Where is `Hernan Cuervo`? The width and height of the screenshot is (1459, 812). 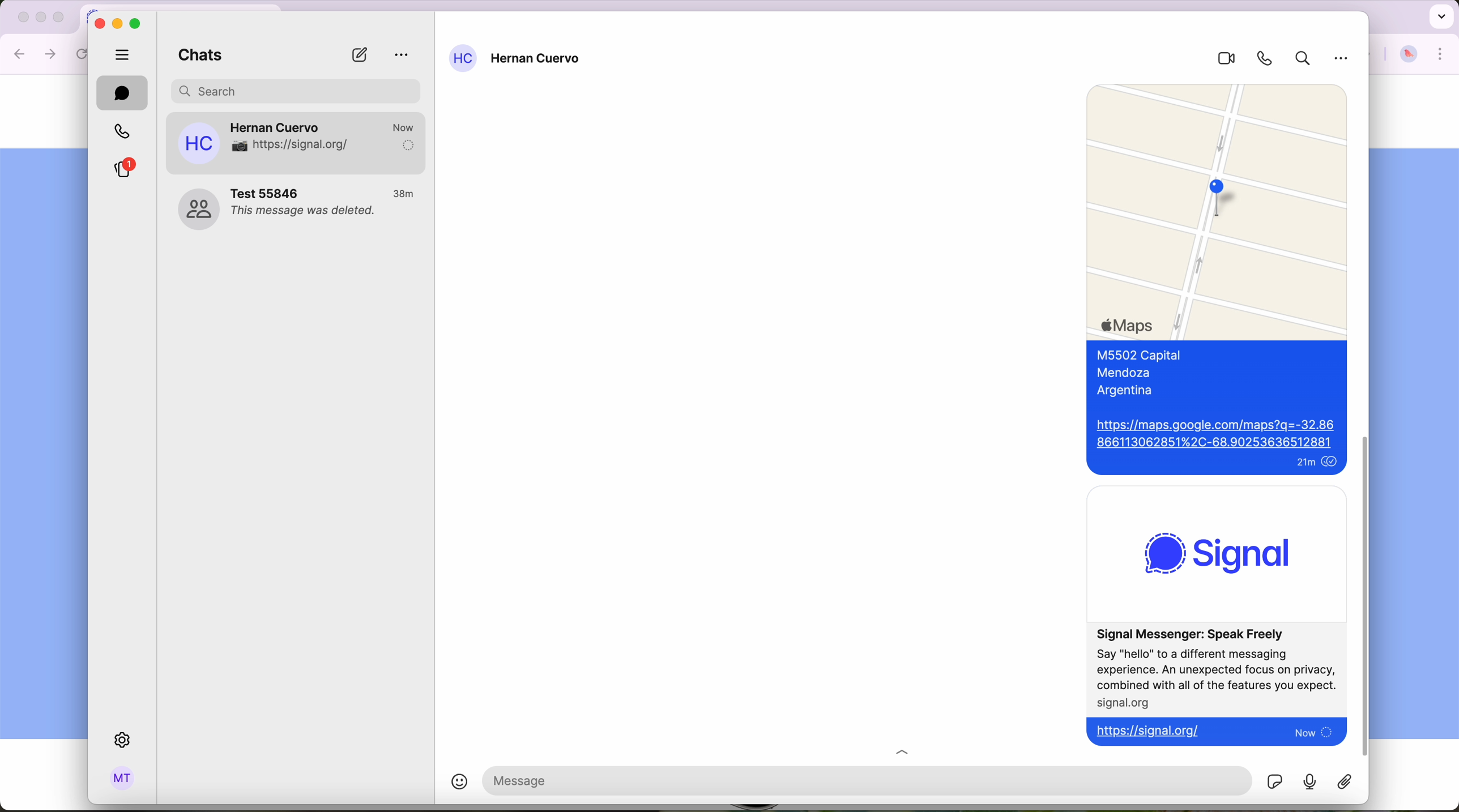 Hernan Cuervo is located at coordinates (276, 124).